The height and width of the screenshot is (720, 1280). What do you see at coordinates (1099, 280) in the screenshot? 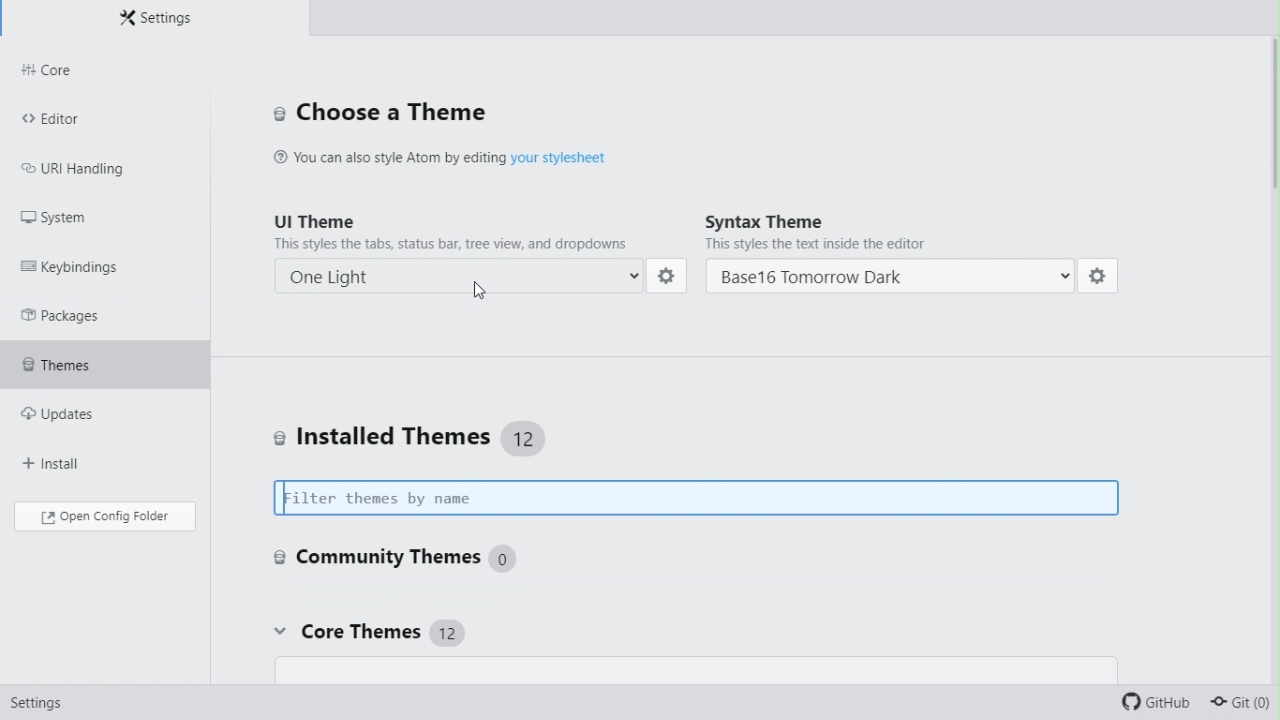
I see `settings` at bounding box center [1099, 280].